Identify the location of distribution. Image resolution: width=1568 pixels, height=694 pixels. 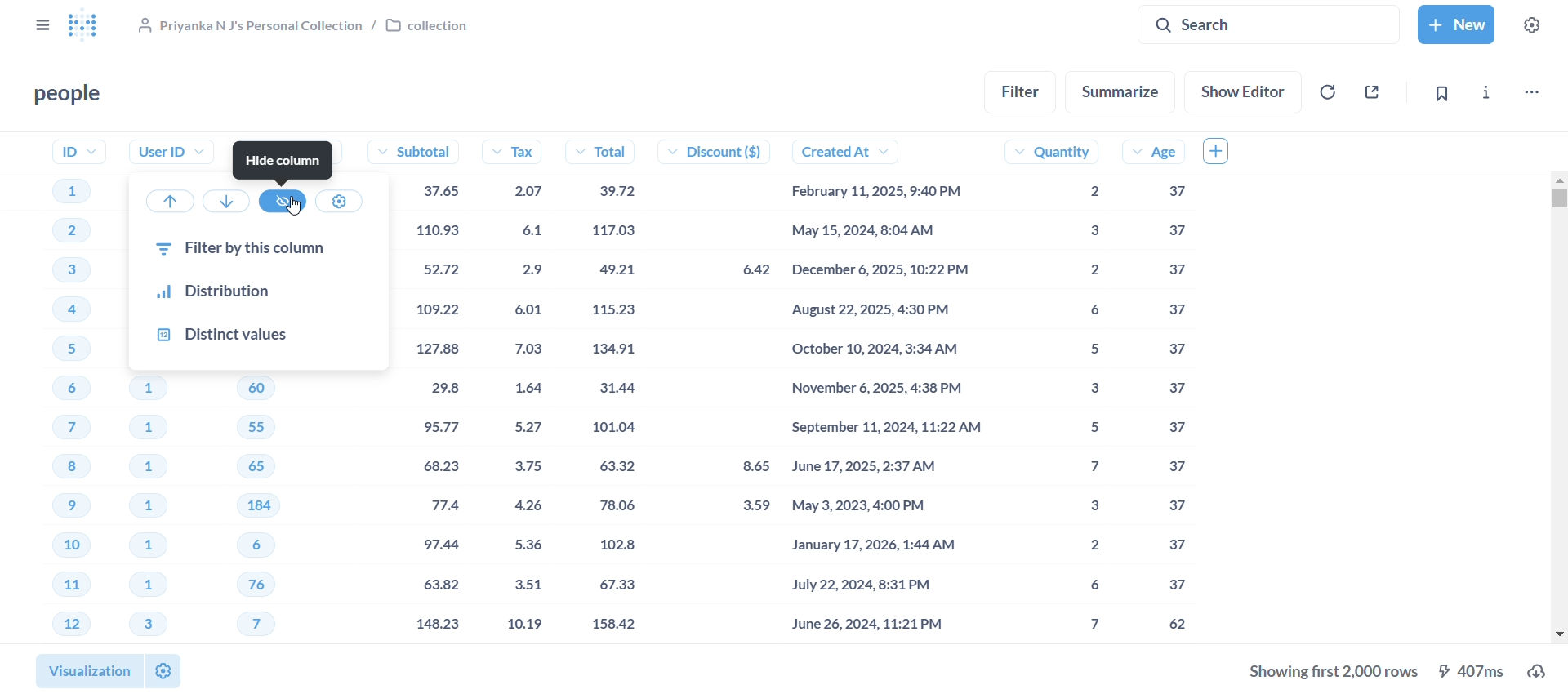
(257, 293).